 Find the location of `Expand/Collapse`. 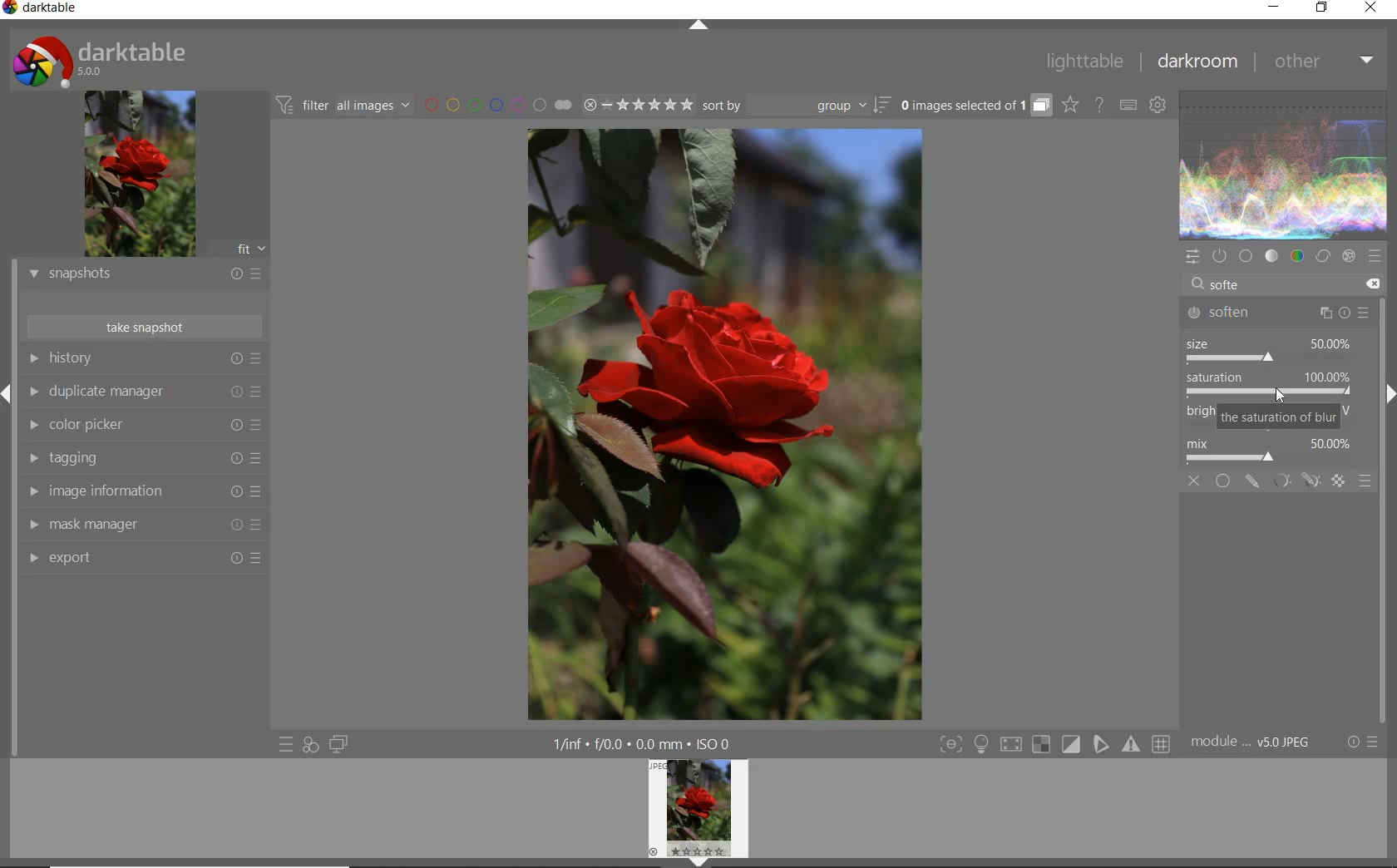

Expand/Collapse is located at coordinates (8, 392).